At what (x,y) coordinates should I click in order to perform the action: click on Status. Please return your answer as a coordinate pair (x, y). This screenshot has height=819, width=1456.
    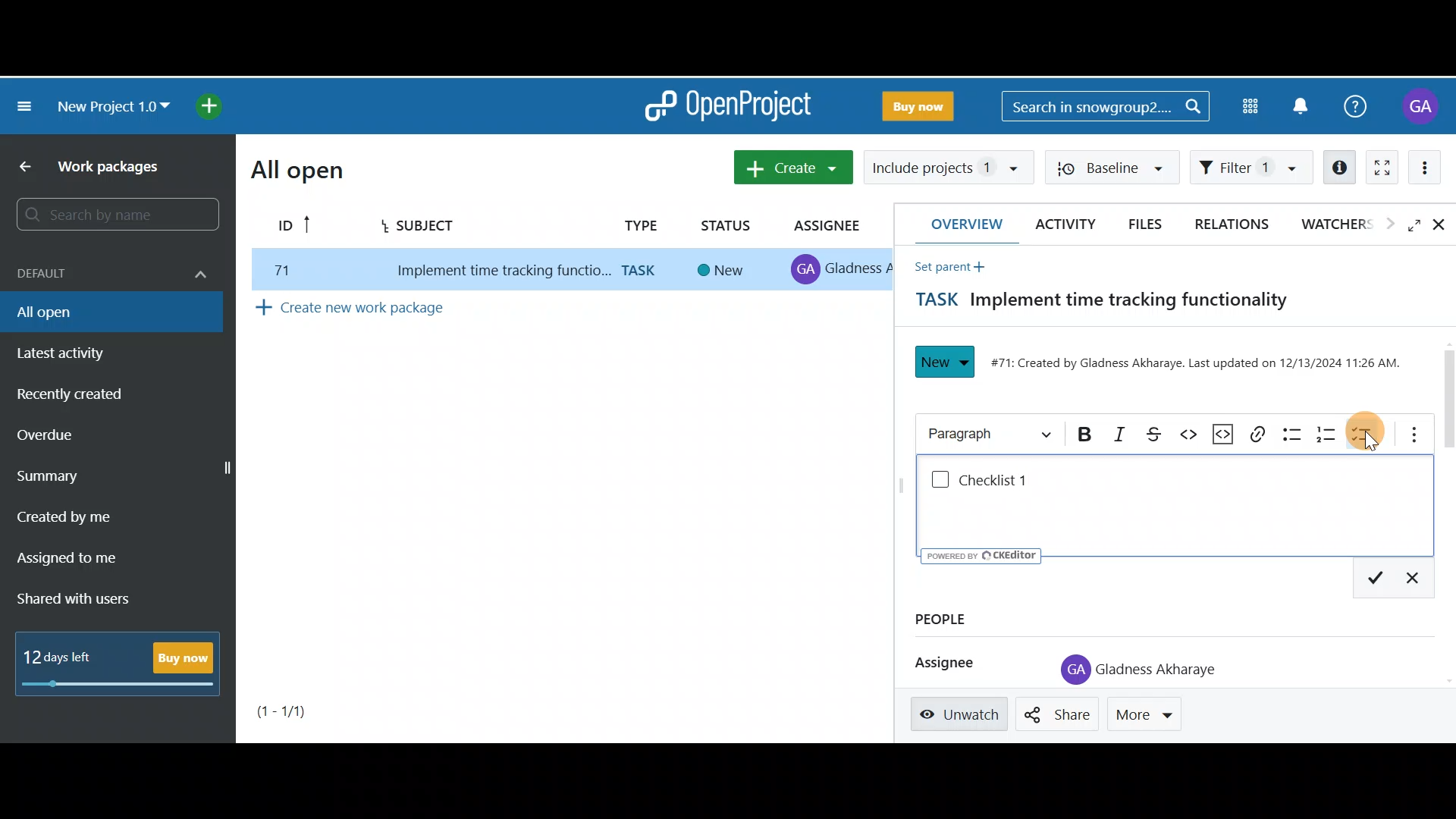
    Looking at the image, I should click on (727, 222).